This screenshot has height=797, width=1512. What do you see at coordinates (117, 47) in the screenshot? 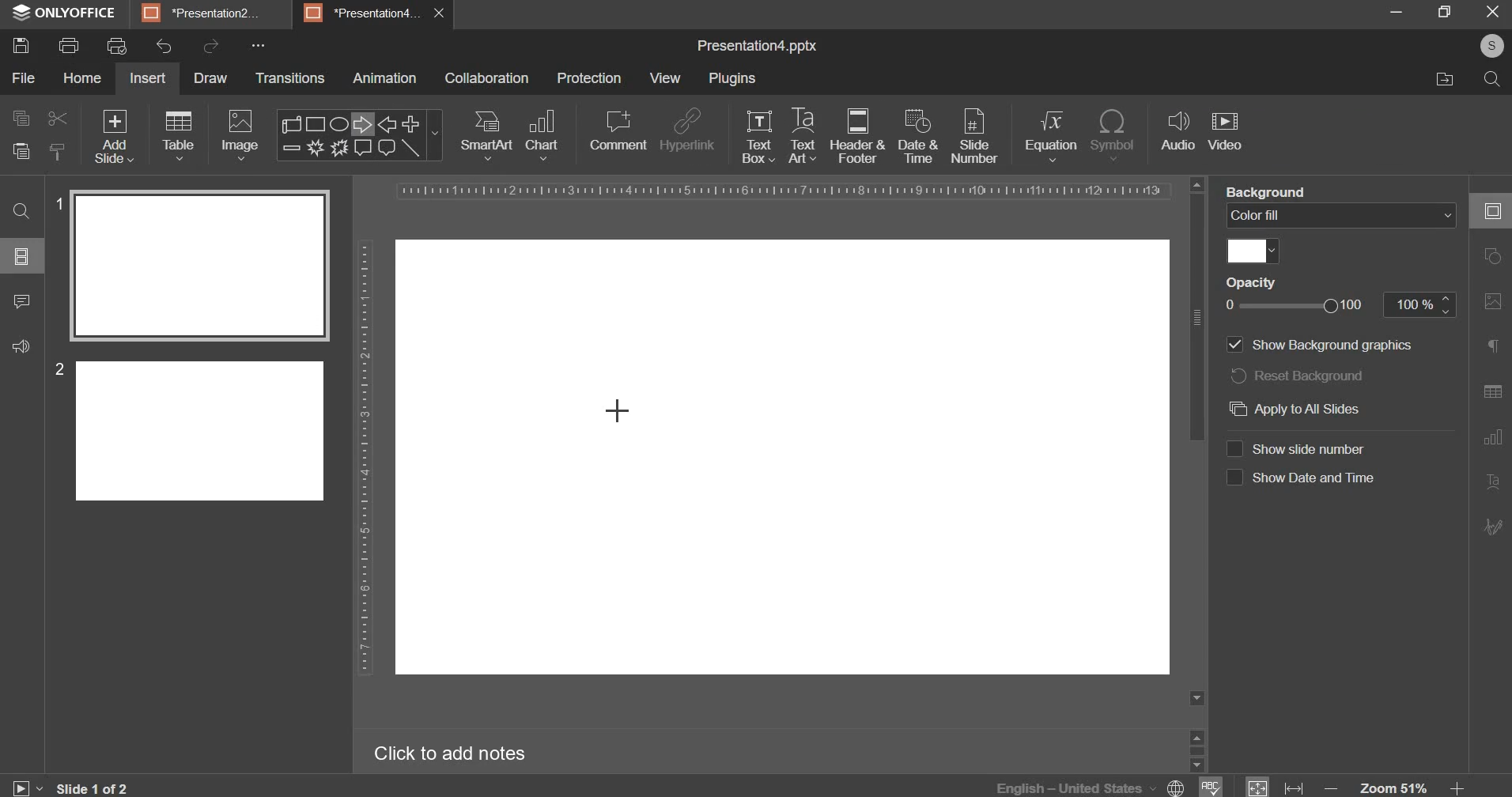
I see `print preview` at bounding box center [117, 47].